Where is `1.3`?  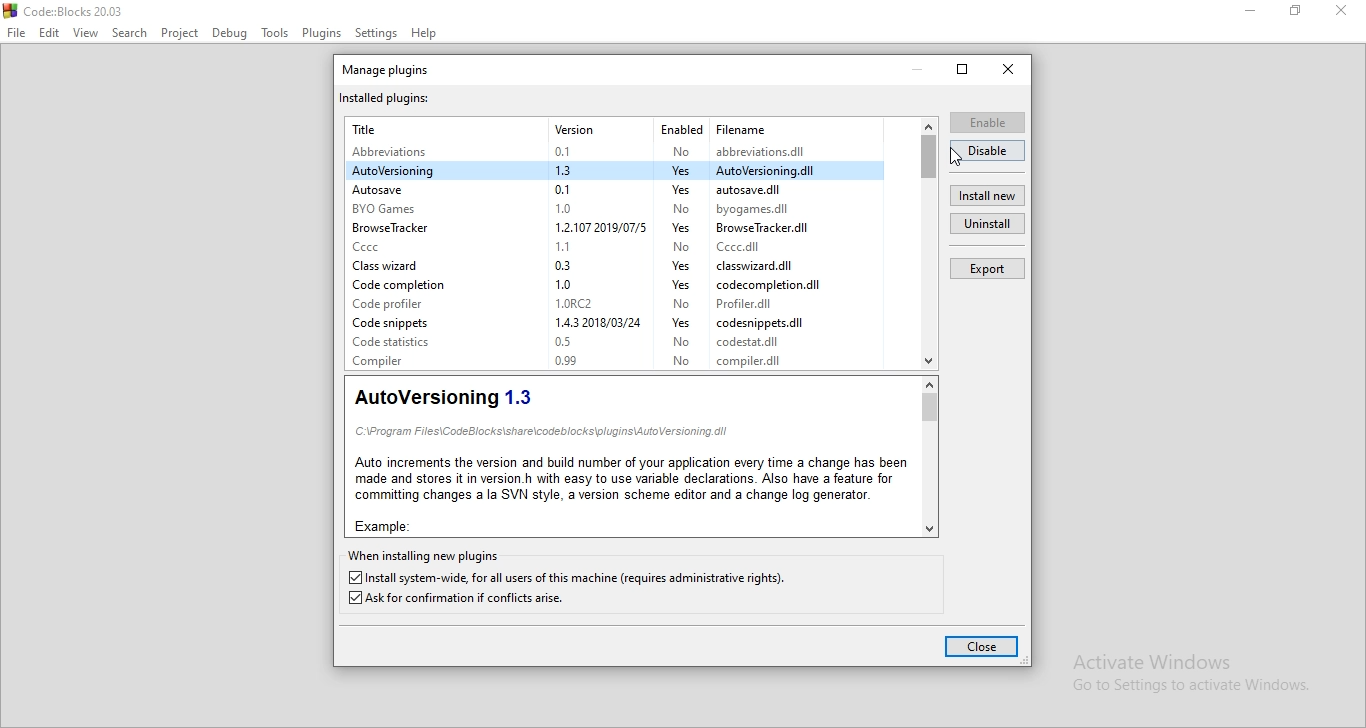
1.3 is located at coordinates (522, 399).